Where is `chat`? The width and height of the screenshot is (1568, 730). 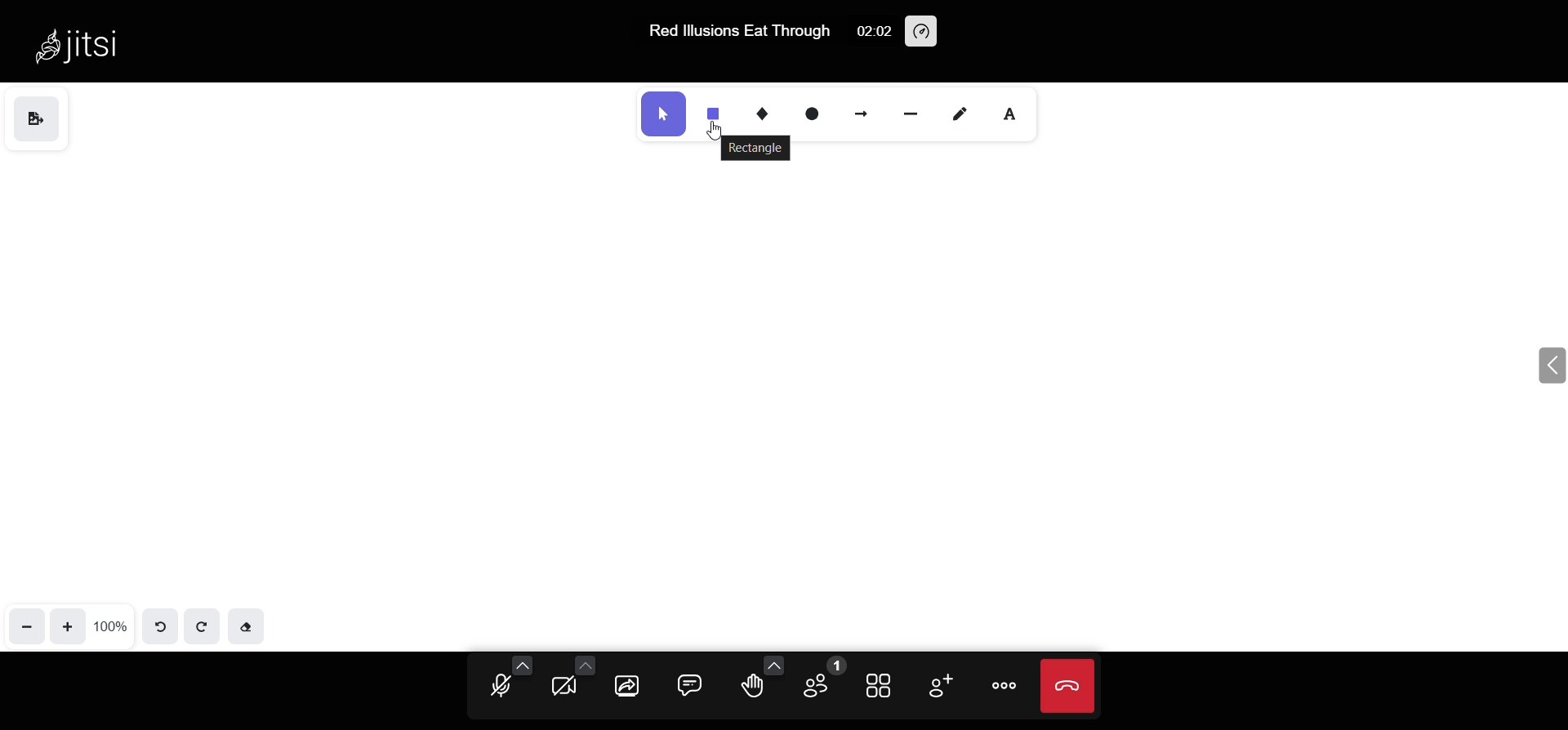 chat is located at coordinates (690, 683).